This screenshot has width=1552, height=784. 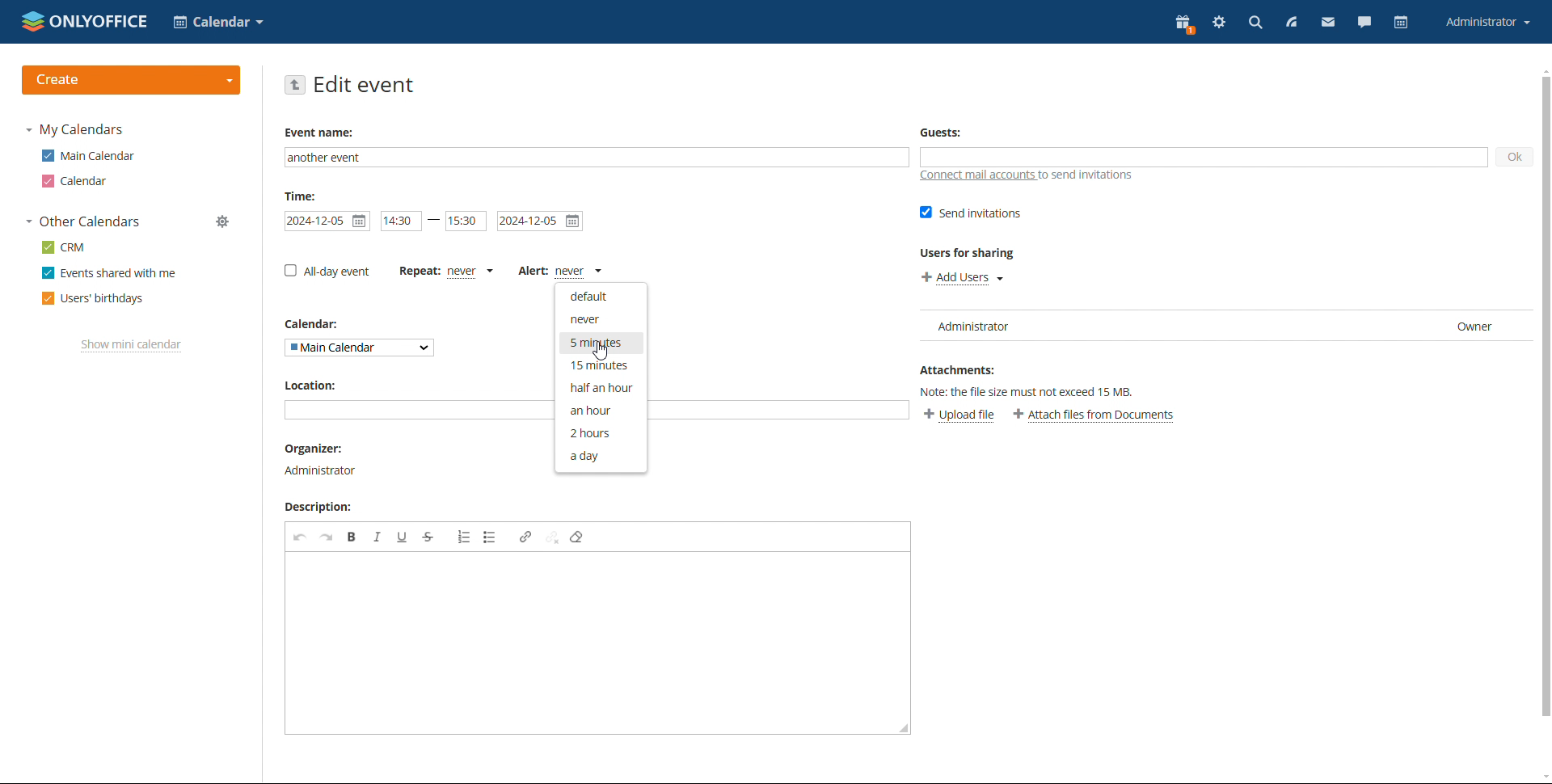 I want to click on end date, so click(x=541, y=221).